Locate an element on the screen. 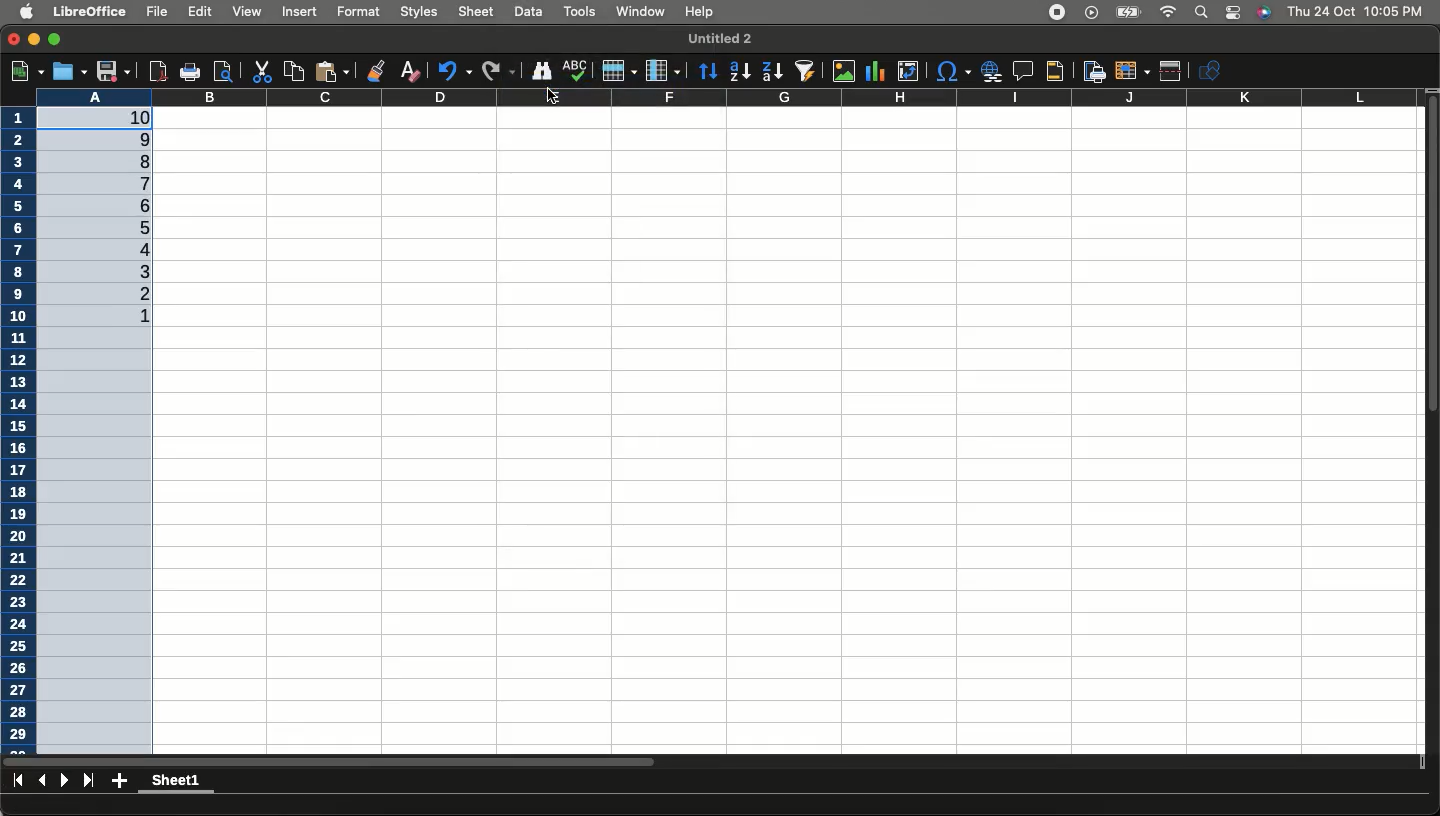 This screenshot has height=816, width=1440. Export directly as PDF  is located at coordinates (155, 70).